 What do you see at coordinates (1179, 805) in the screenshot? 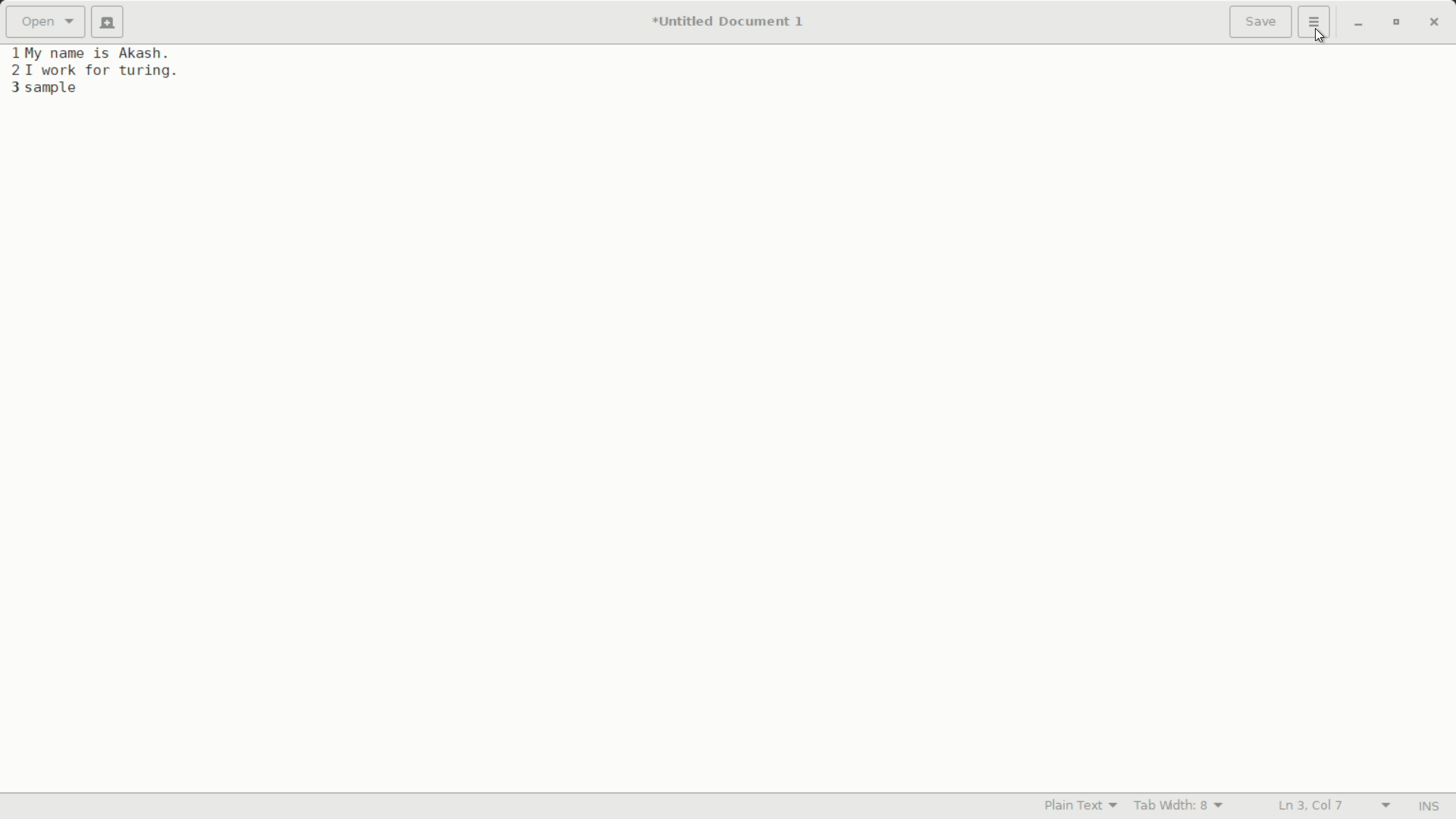
I see `tab width` at bounding box center [1179, 805].